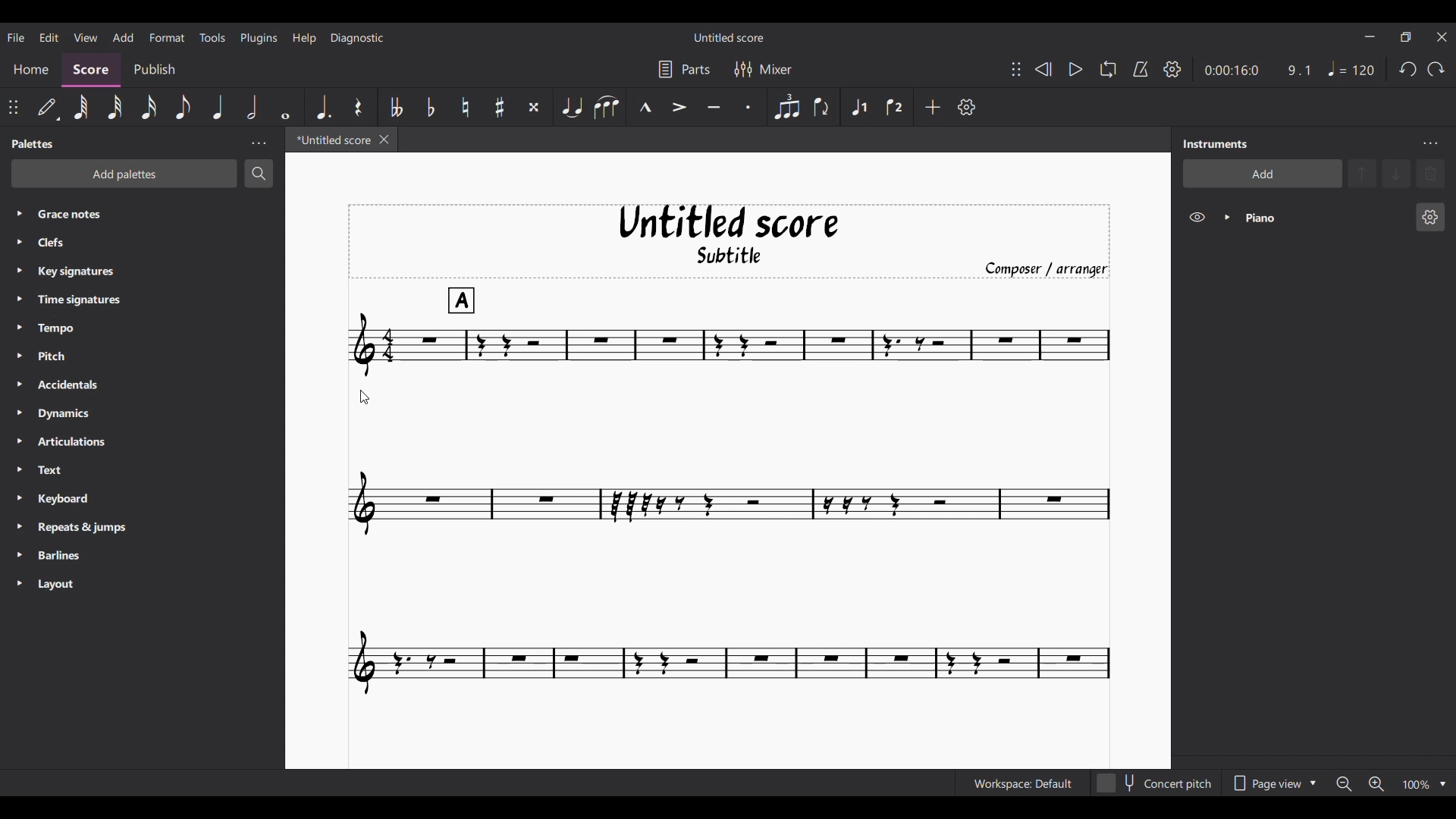  Describe the element at coordinates (728, 37) in the screenshot. I see `Score name` at that location.